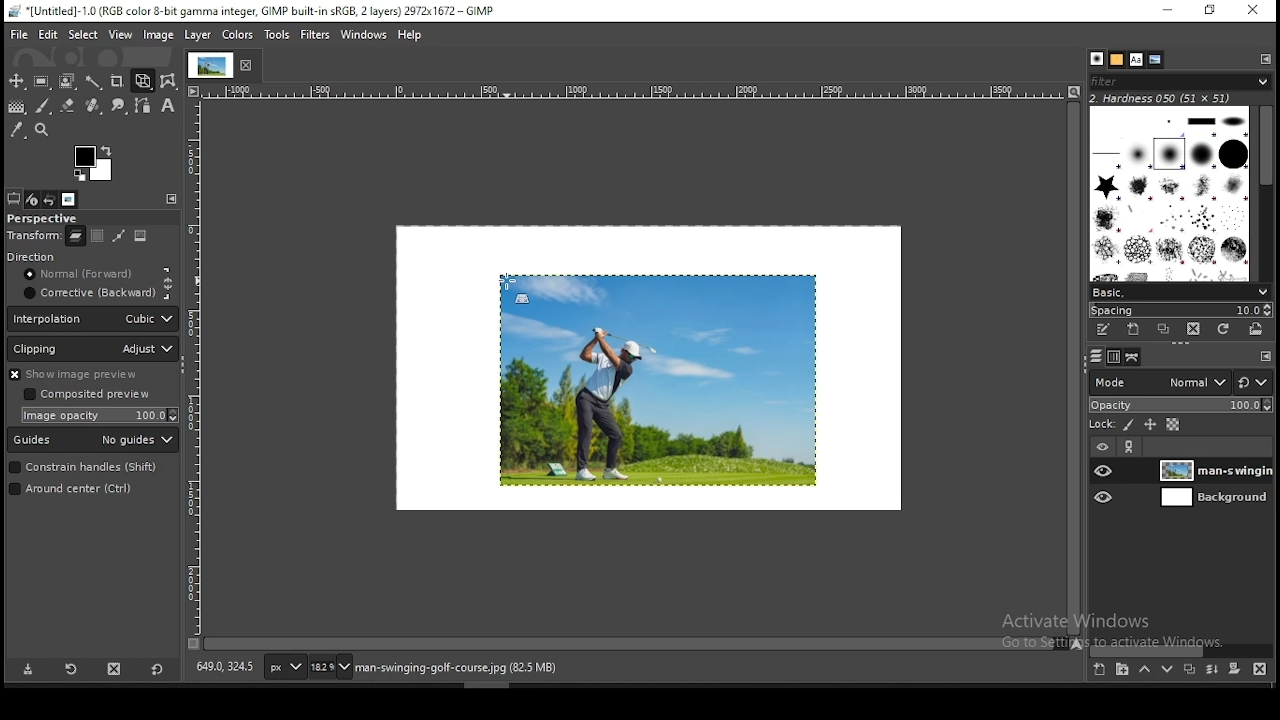 Image resolution: width=1280 pixels, height=720 pixels. Describe the element at coordinates (13, 198) in the screenshot. I see `tool options` at that location.